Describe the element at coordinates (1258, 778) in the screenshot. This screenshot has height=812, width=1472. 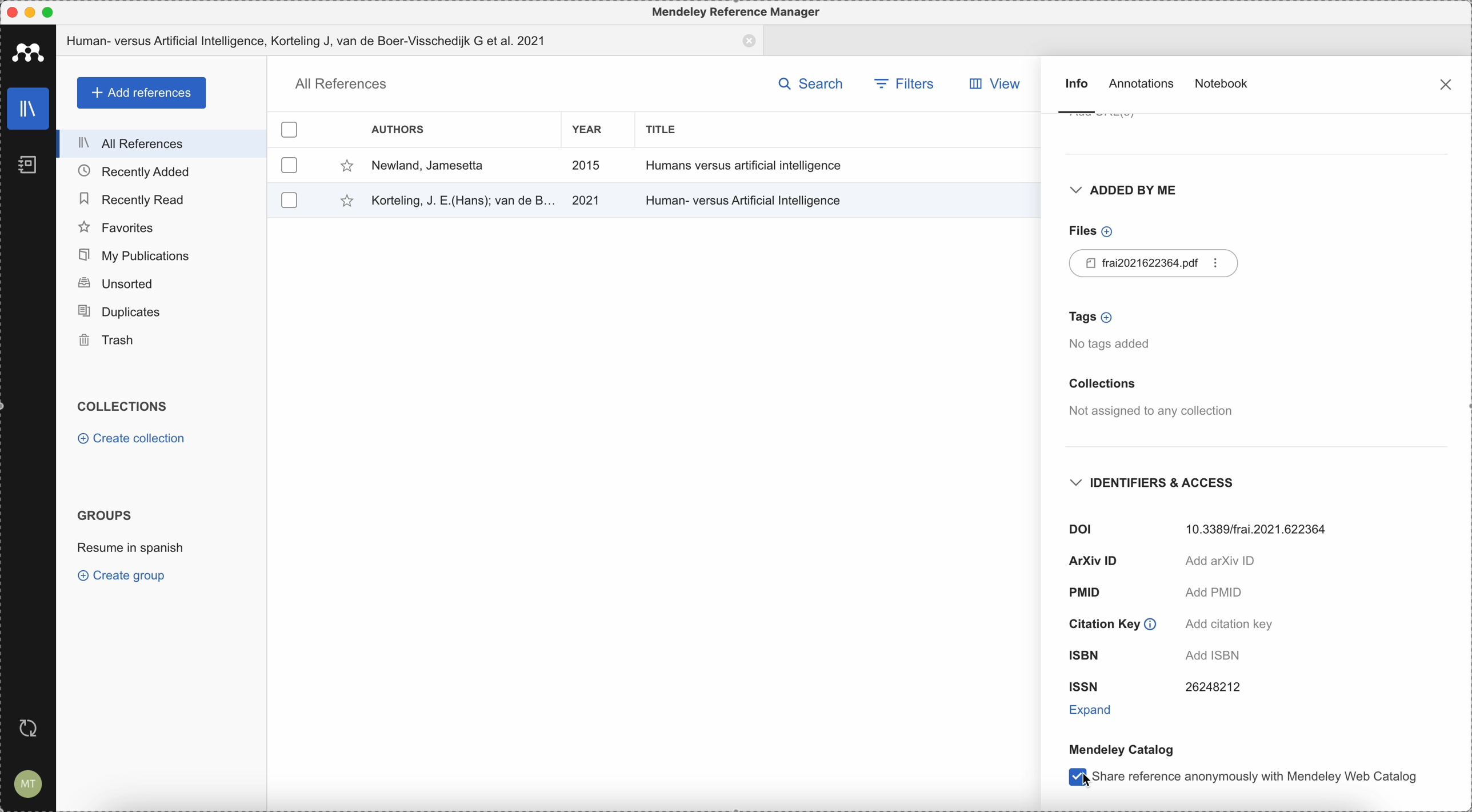
I see `share reference anonymously` at that location.